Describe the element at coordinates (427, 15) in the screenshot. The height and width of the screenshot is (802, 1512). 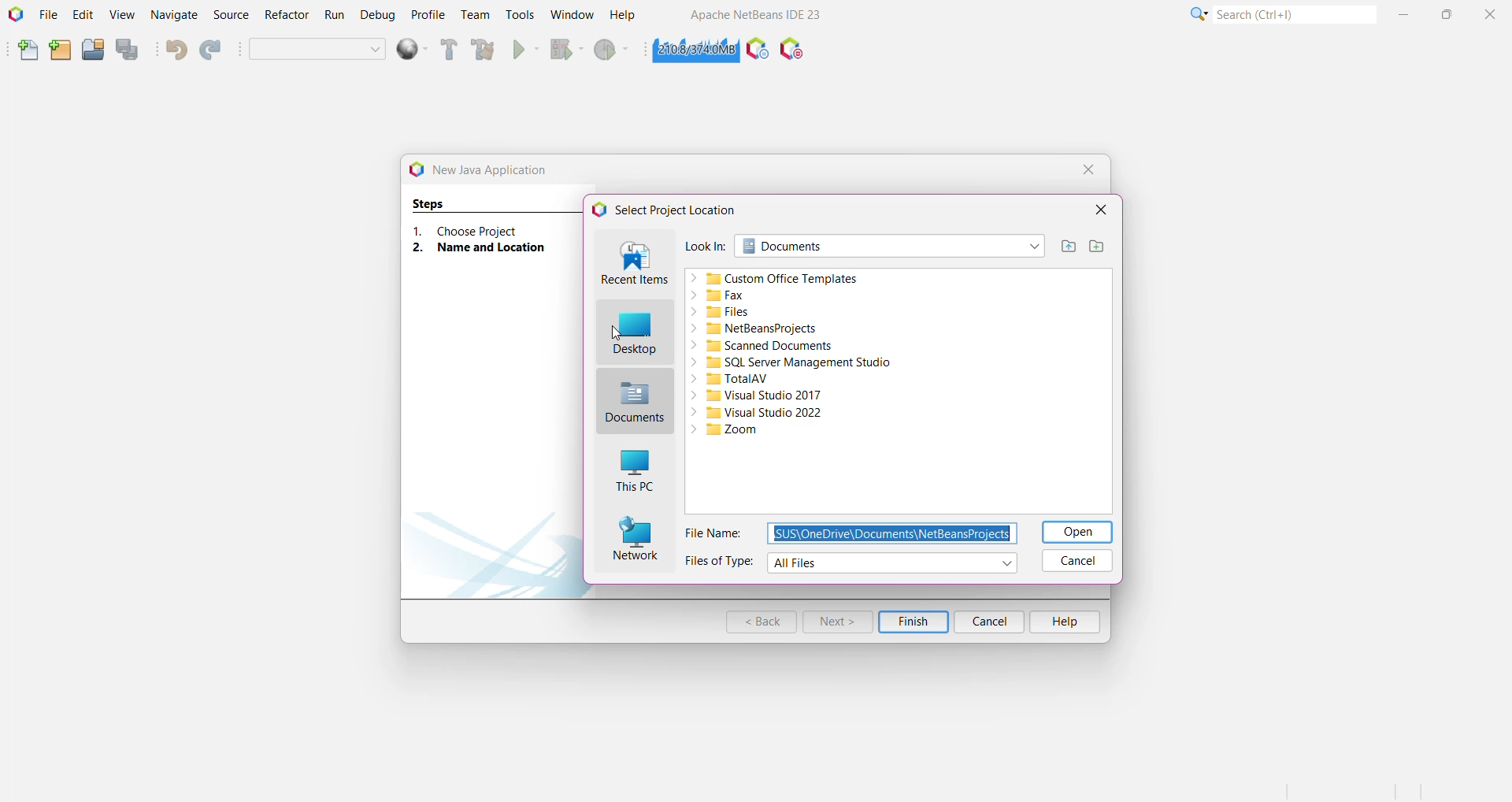
I see `Profile` at that location.